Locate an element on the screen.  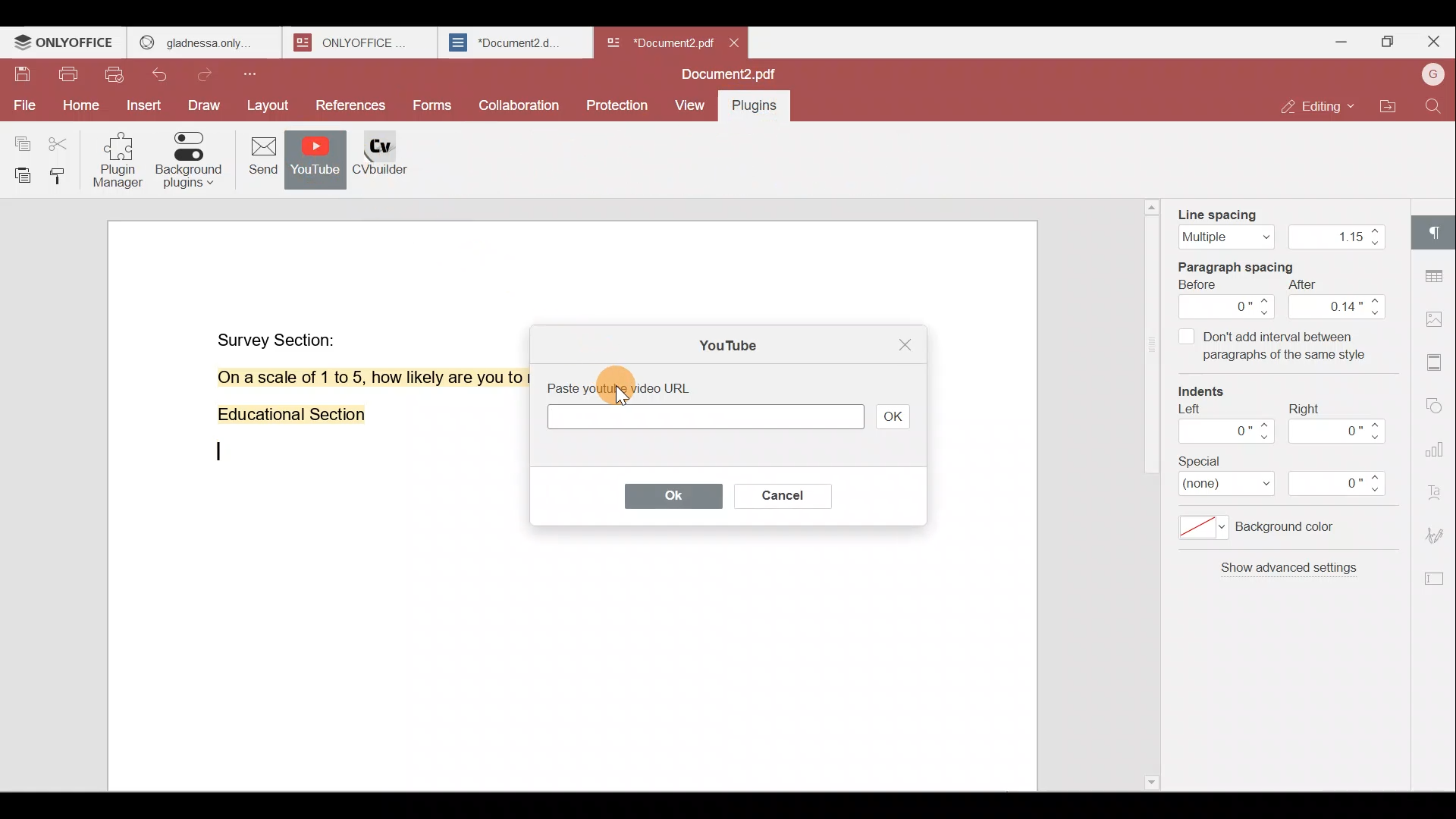
Collaboration is located at coordinates (517, 104).